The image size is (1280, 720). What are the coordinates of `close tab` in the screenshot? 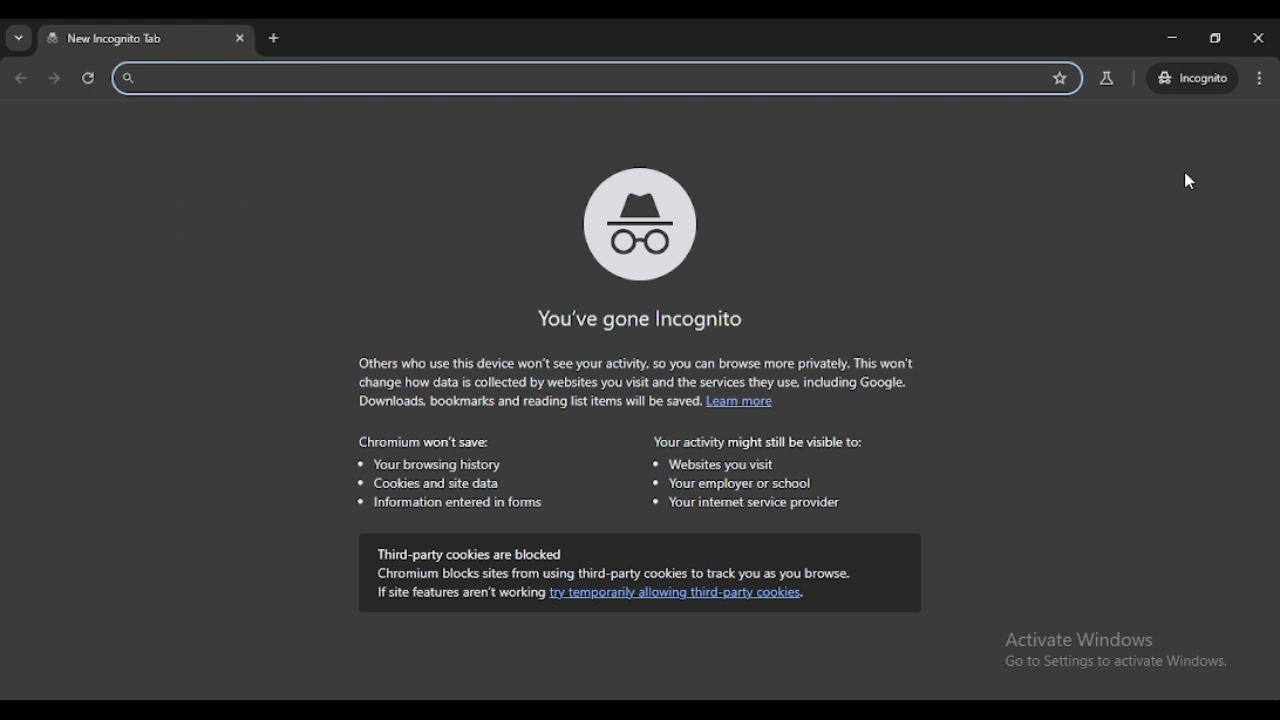 It's located at (240, 38).